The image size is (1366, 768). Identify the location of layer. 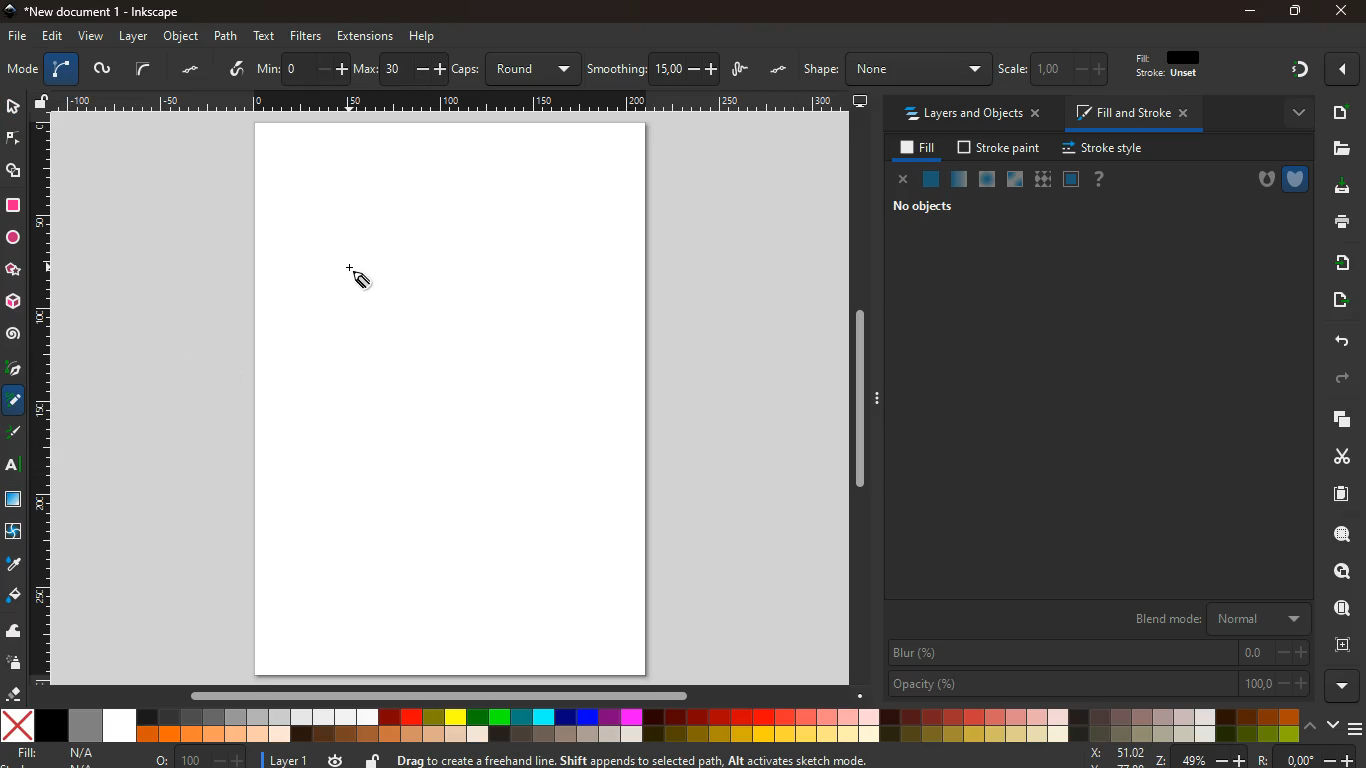
(280, 759).